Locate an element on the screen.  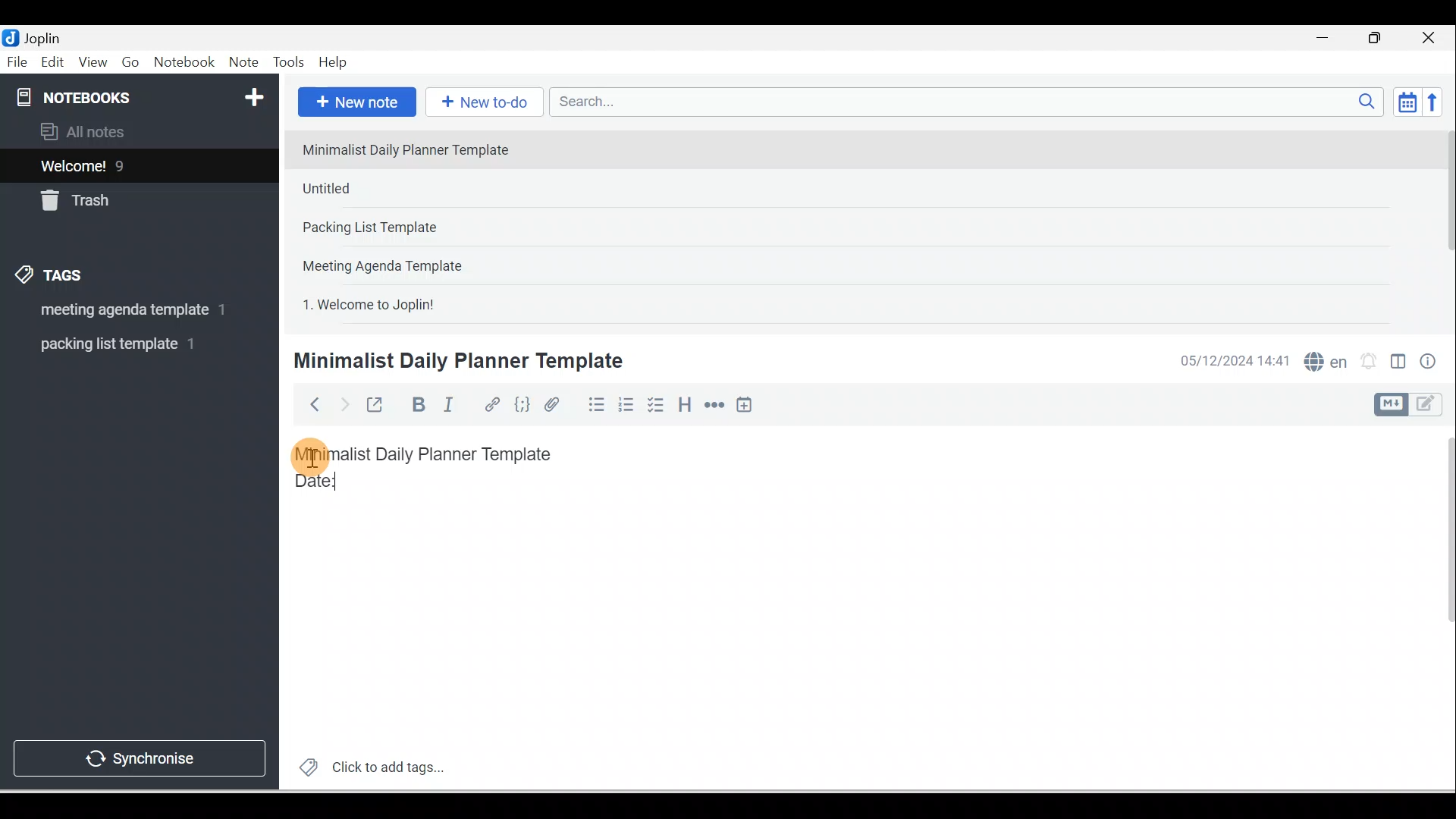
Reverse sort is located at coordinates (1437, 102).